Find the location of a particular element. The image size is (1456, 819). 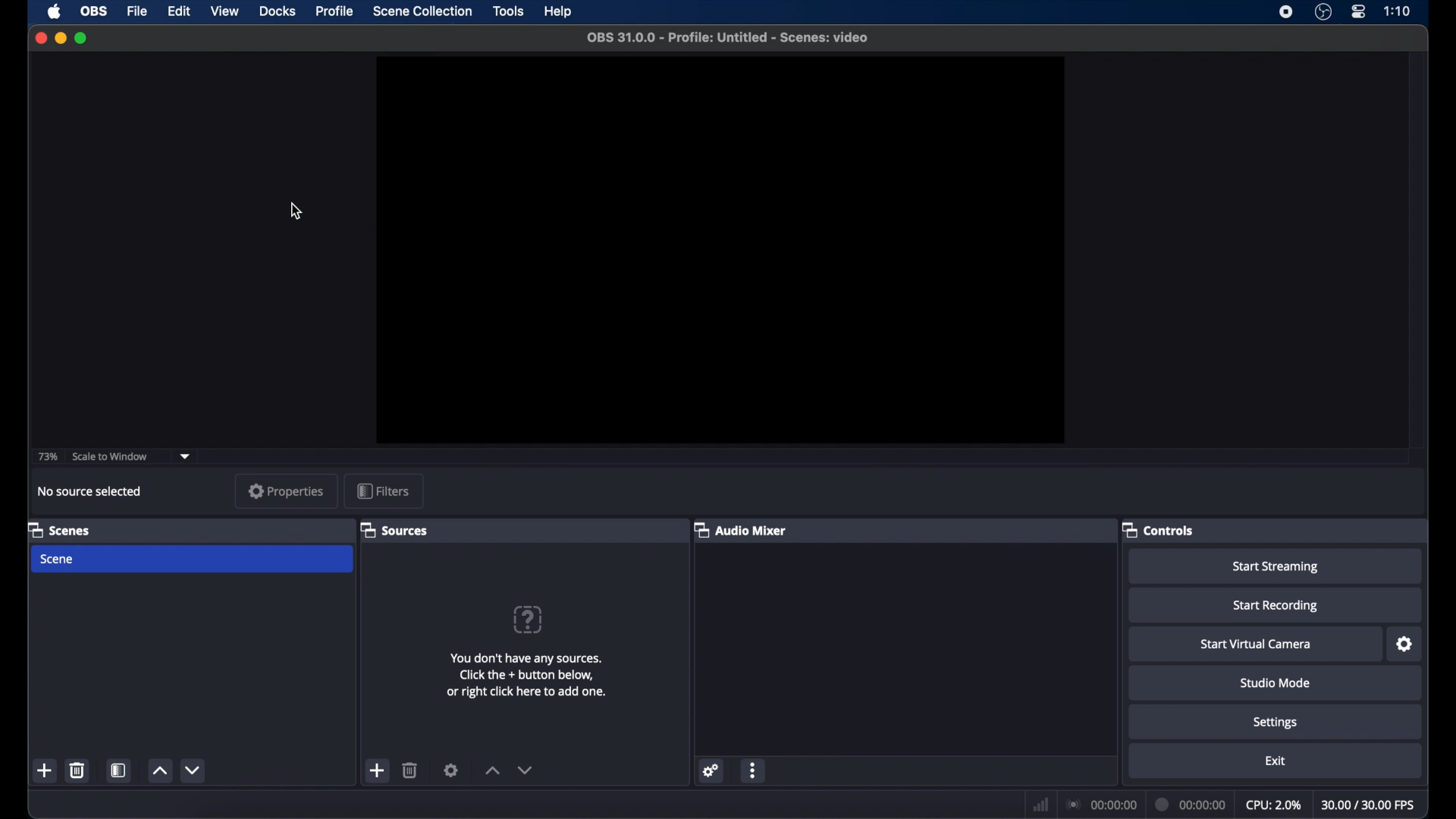

control center is located at coordinates (1357, 12).